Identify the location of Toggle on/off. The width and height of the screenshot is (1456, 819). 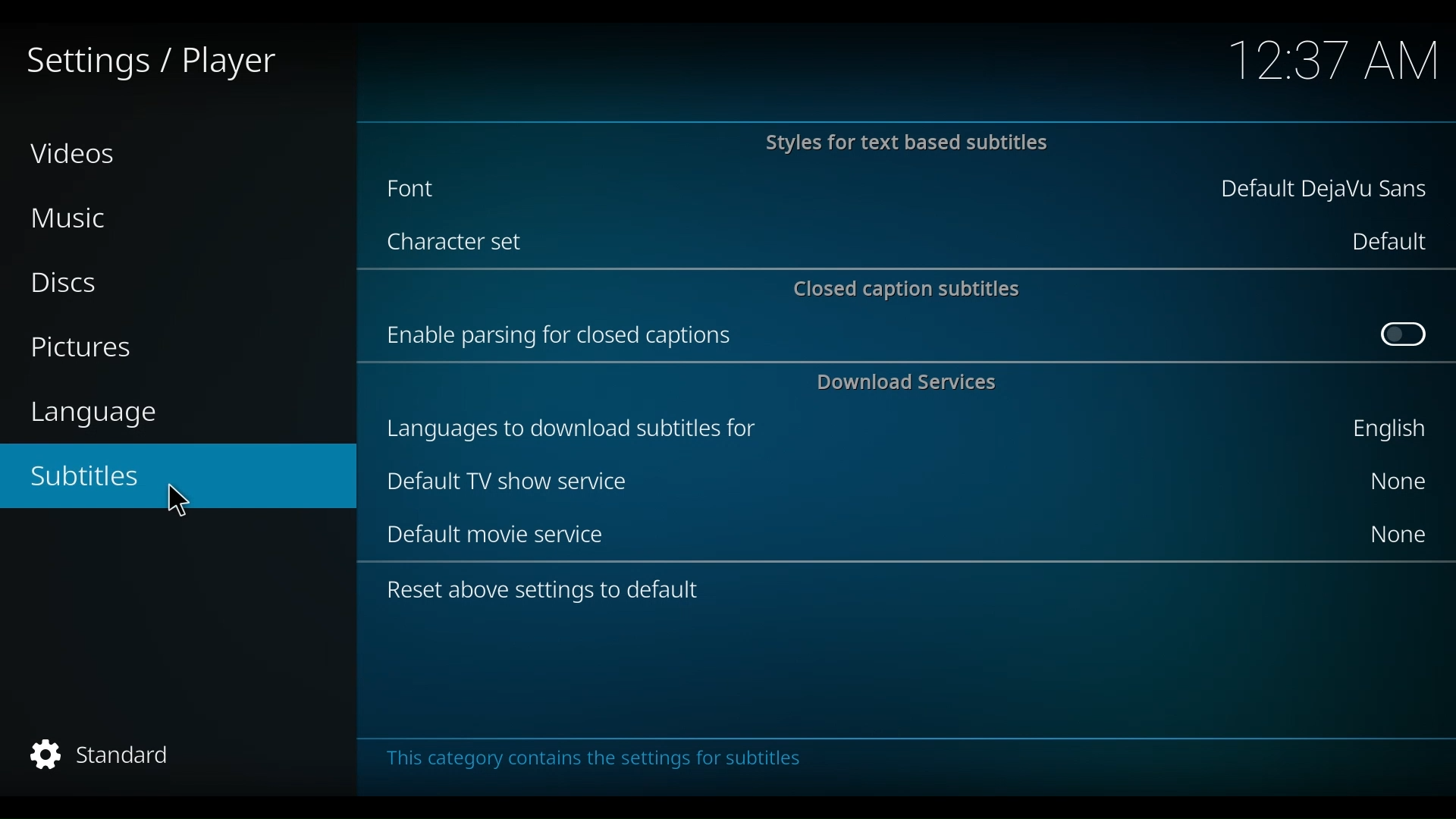
(1404, 335).